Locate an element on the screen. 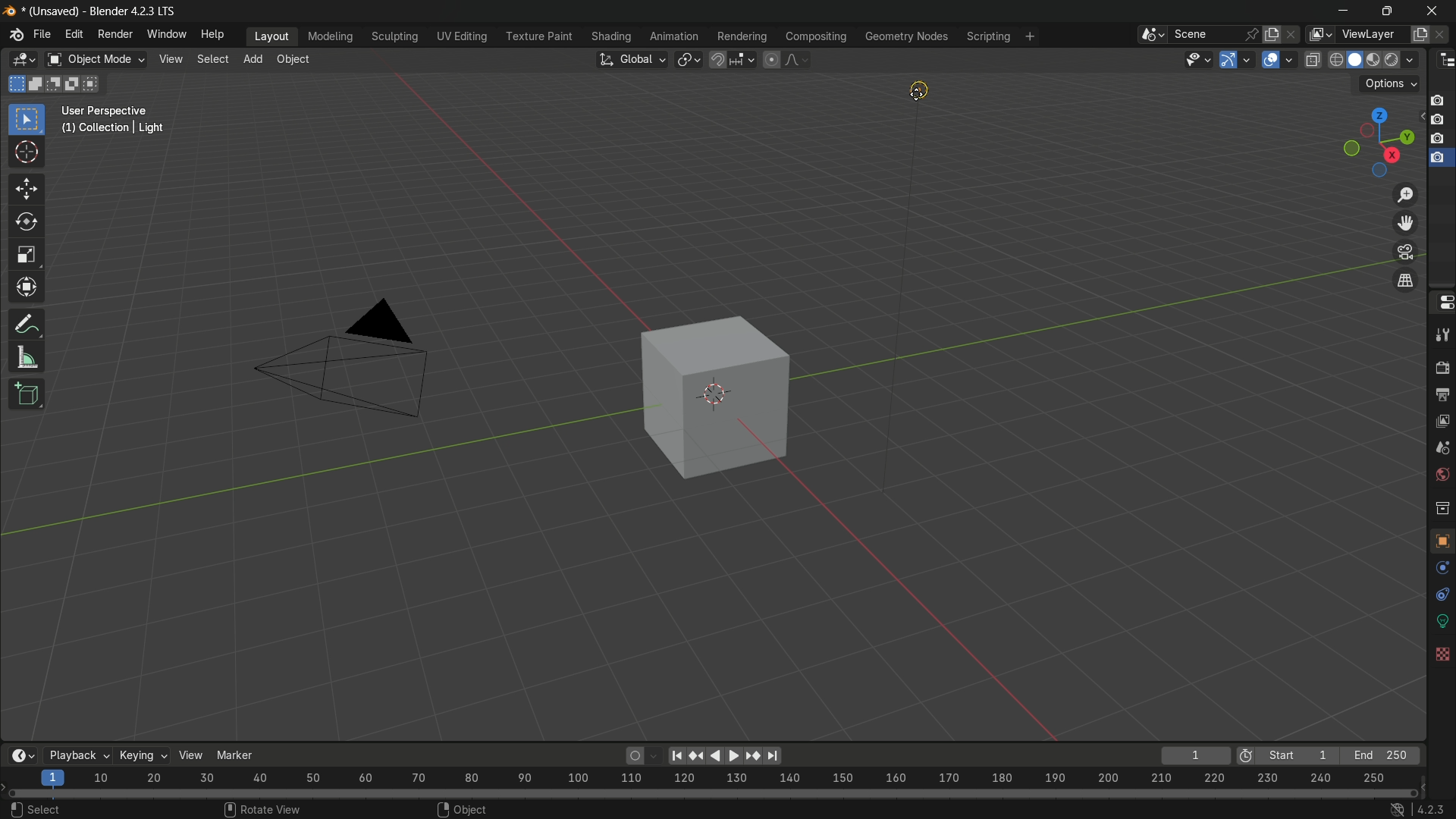  delete scene is located at coordinates (1294, 36).